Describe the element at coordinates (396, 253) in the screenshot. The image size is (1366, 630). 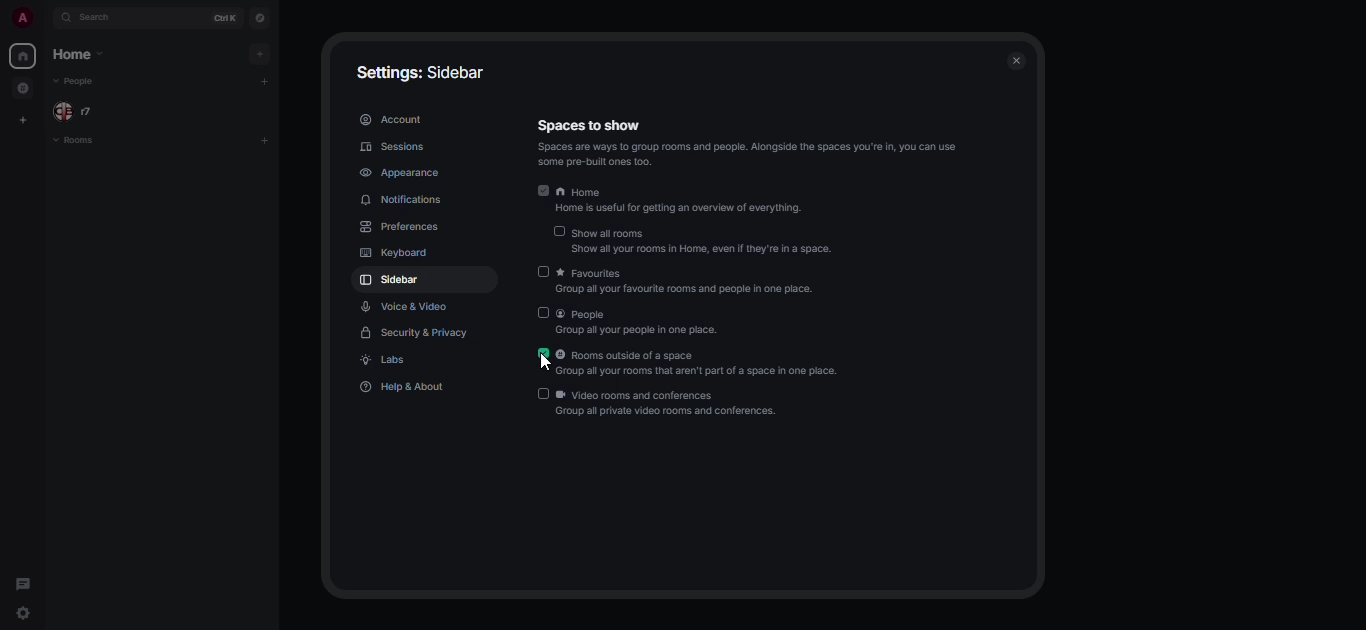
I see `keyboard` at that location.